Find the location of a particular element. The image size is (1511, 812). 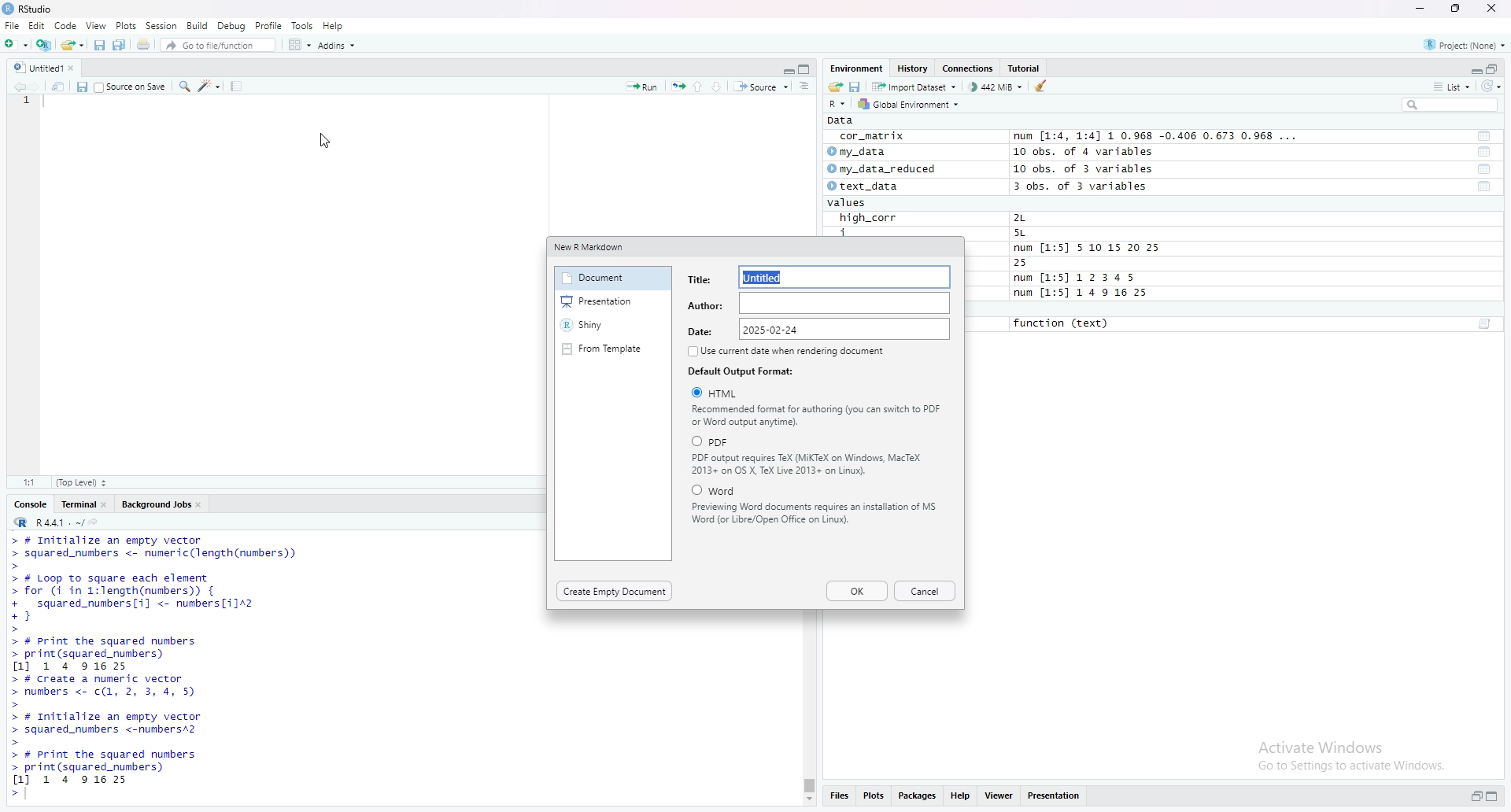

Down is located at coordinates (722, 85).